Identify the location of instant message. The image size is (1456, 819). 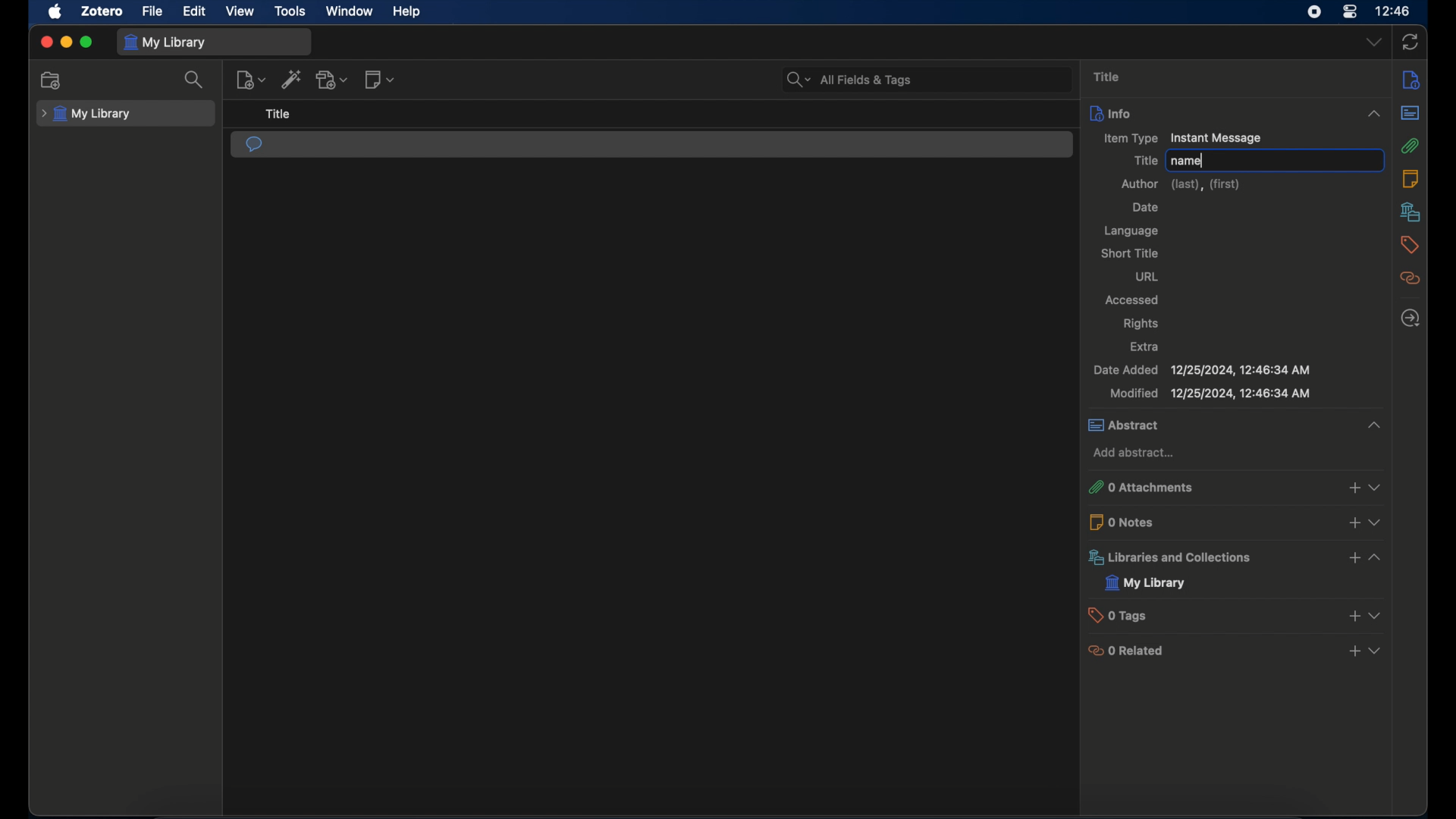
(254, 146).